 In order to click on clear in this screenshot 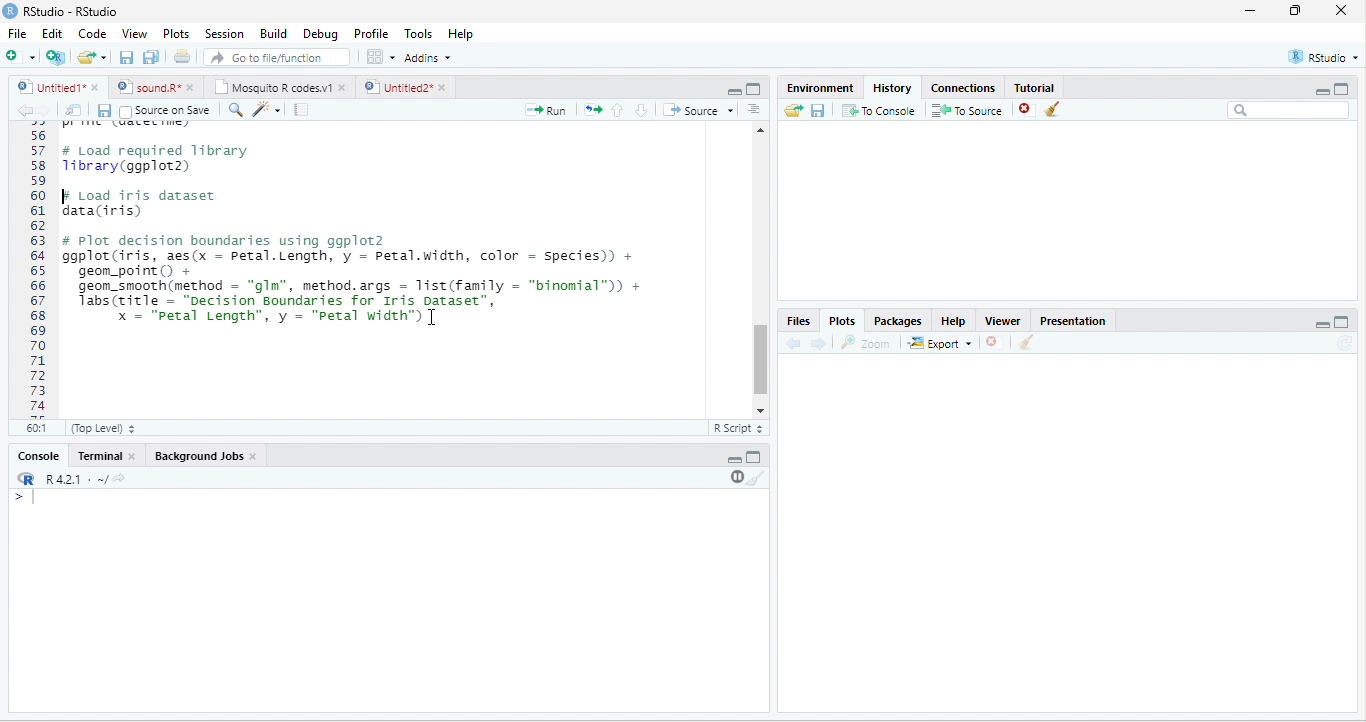, I will do `click(1027, 342)`.